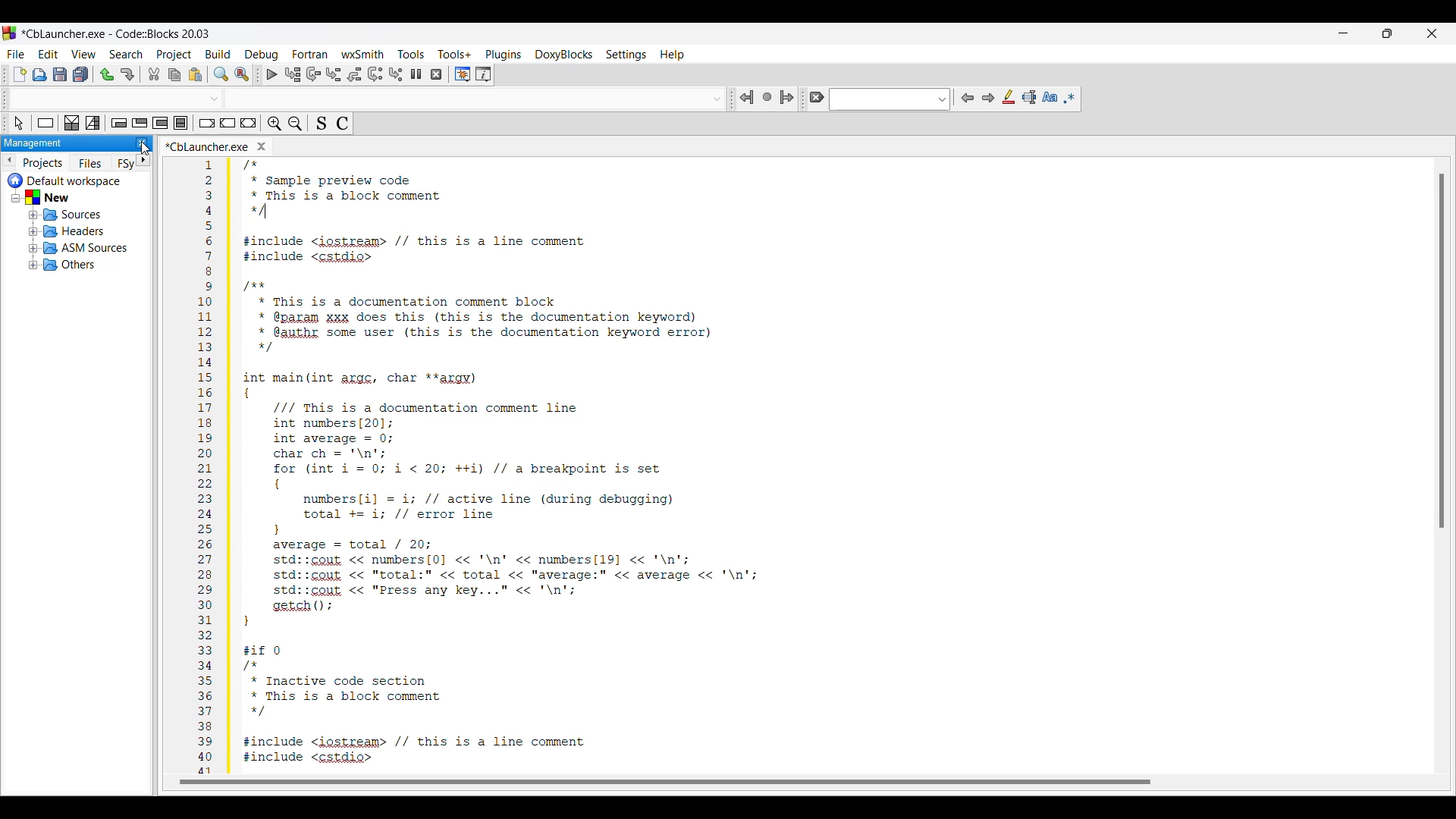 This screenshot has width=1456, height=819. What do you see at coordinates (221, 74) in the screenshot?
I see `Find` at bounding box center [221, 74].